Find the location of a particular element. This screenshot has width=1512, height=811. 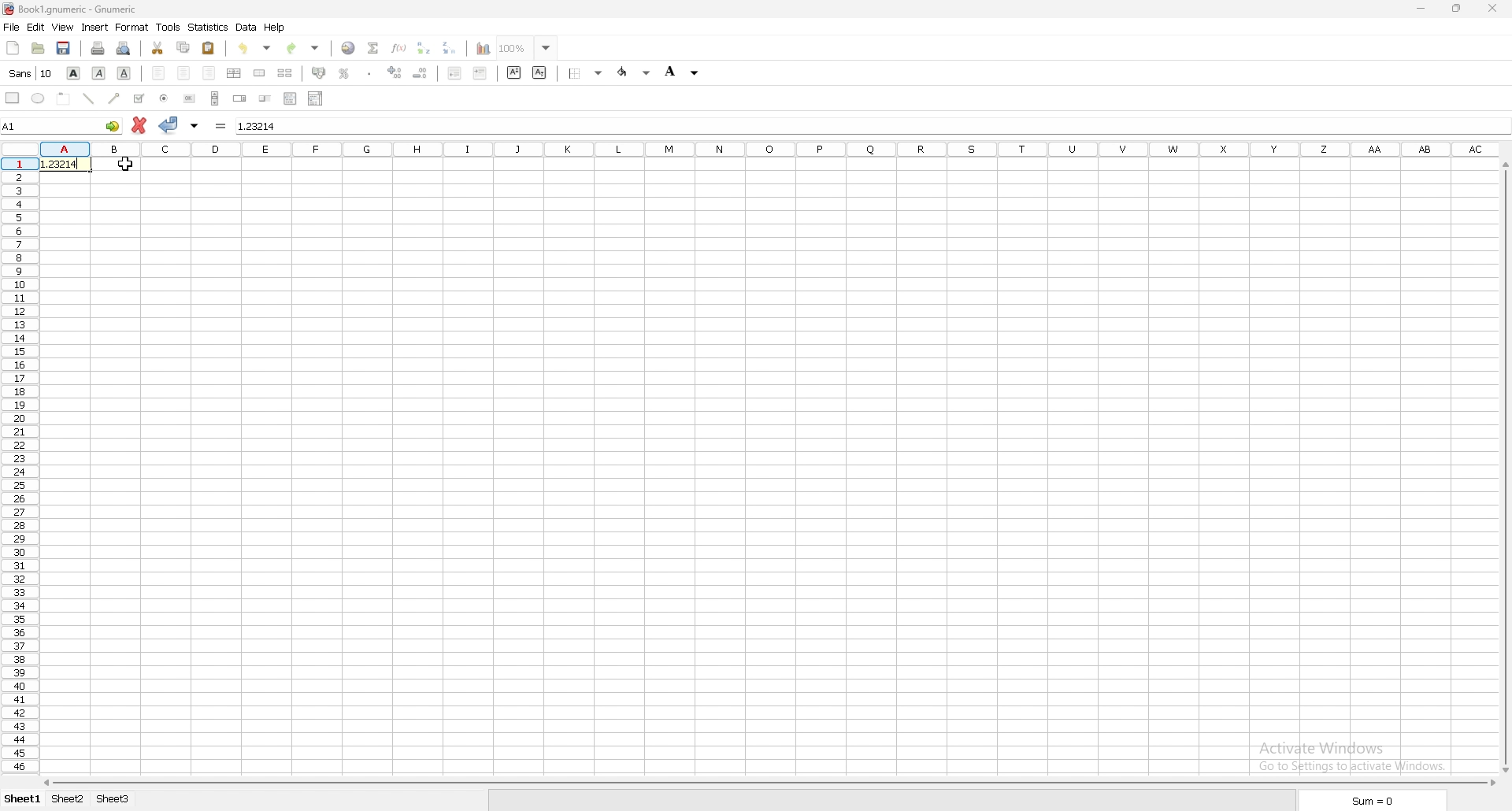

undo is located at coordinates (254, 49).